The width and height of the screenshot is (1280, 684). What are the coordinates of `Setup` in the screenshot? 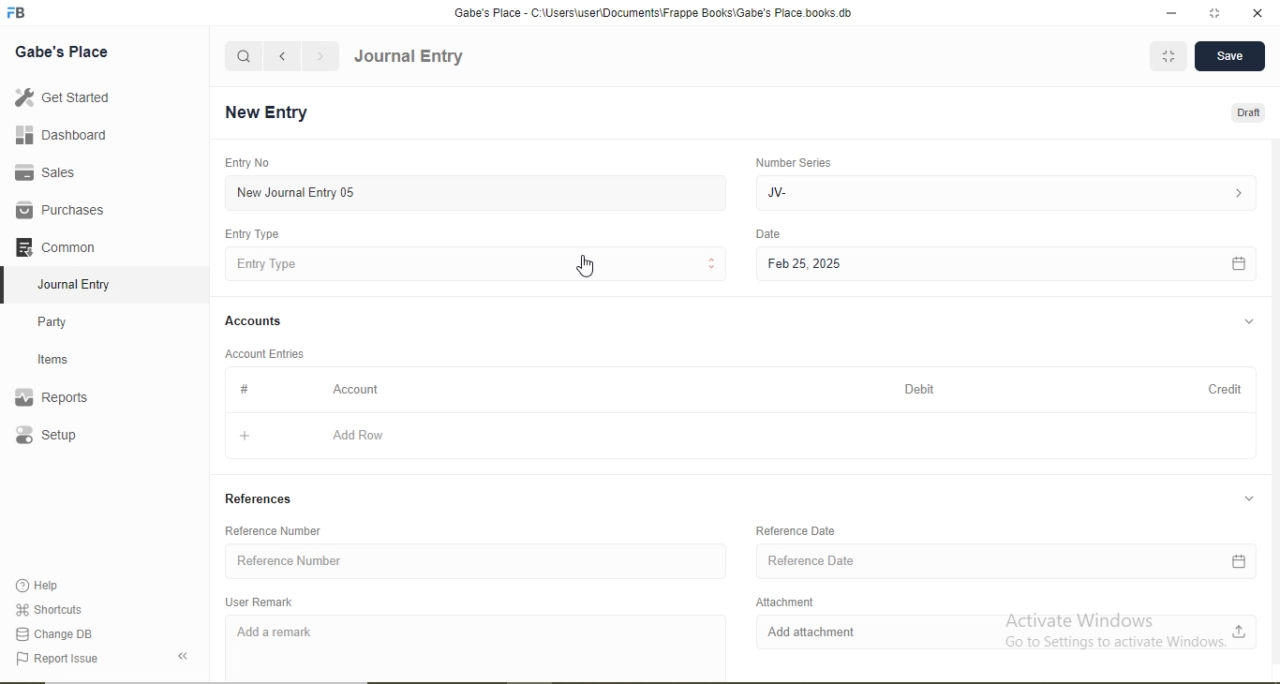 It's located at (75, 437).